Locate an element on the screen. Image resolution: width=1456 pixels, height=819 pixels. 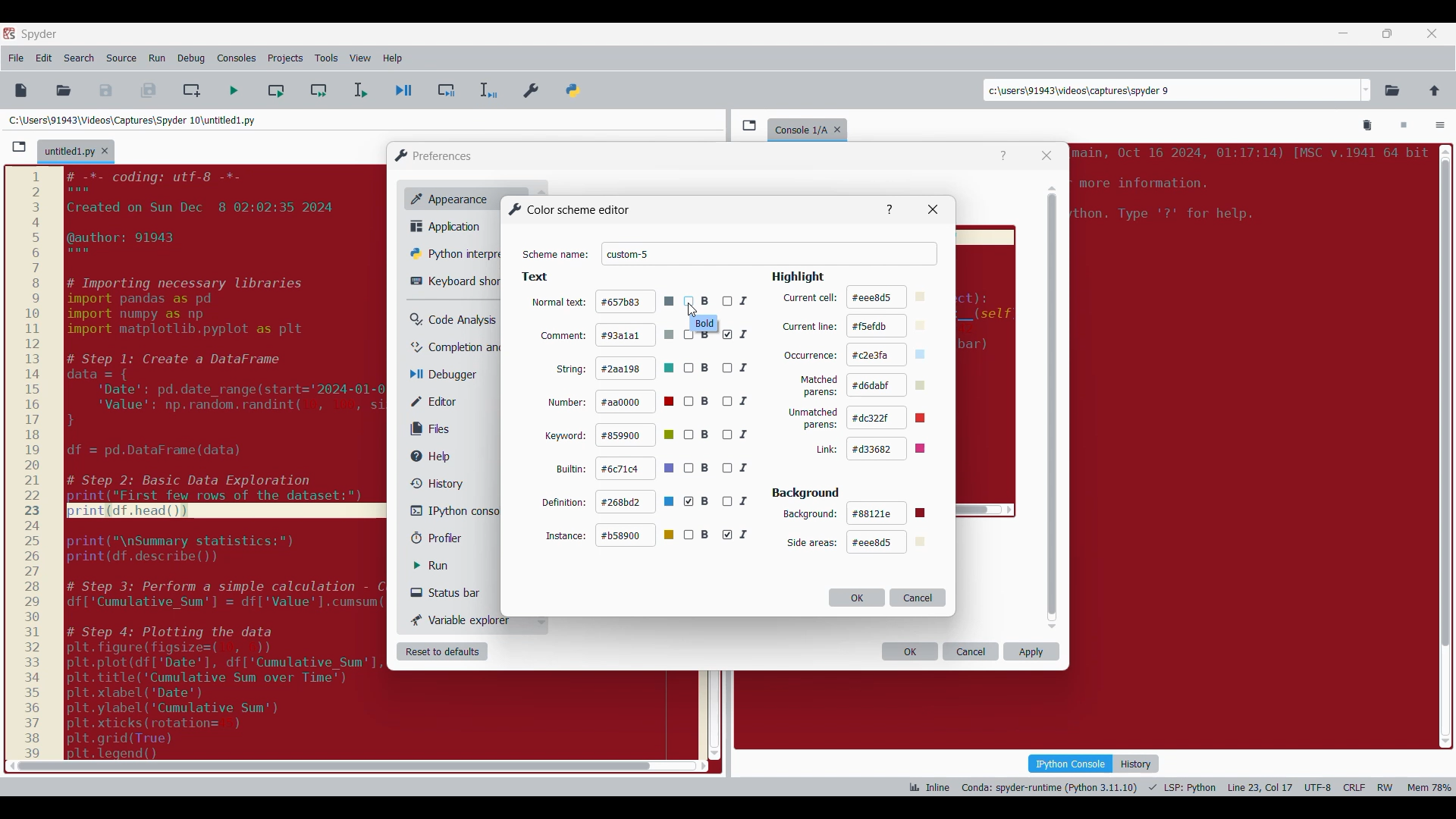
Location options is located at coordinates (1367, 90).